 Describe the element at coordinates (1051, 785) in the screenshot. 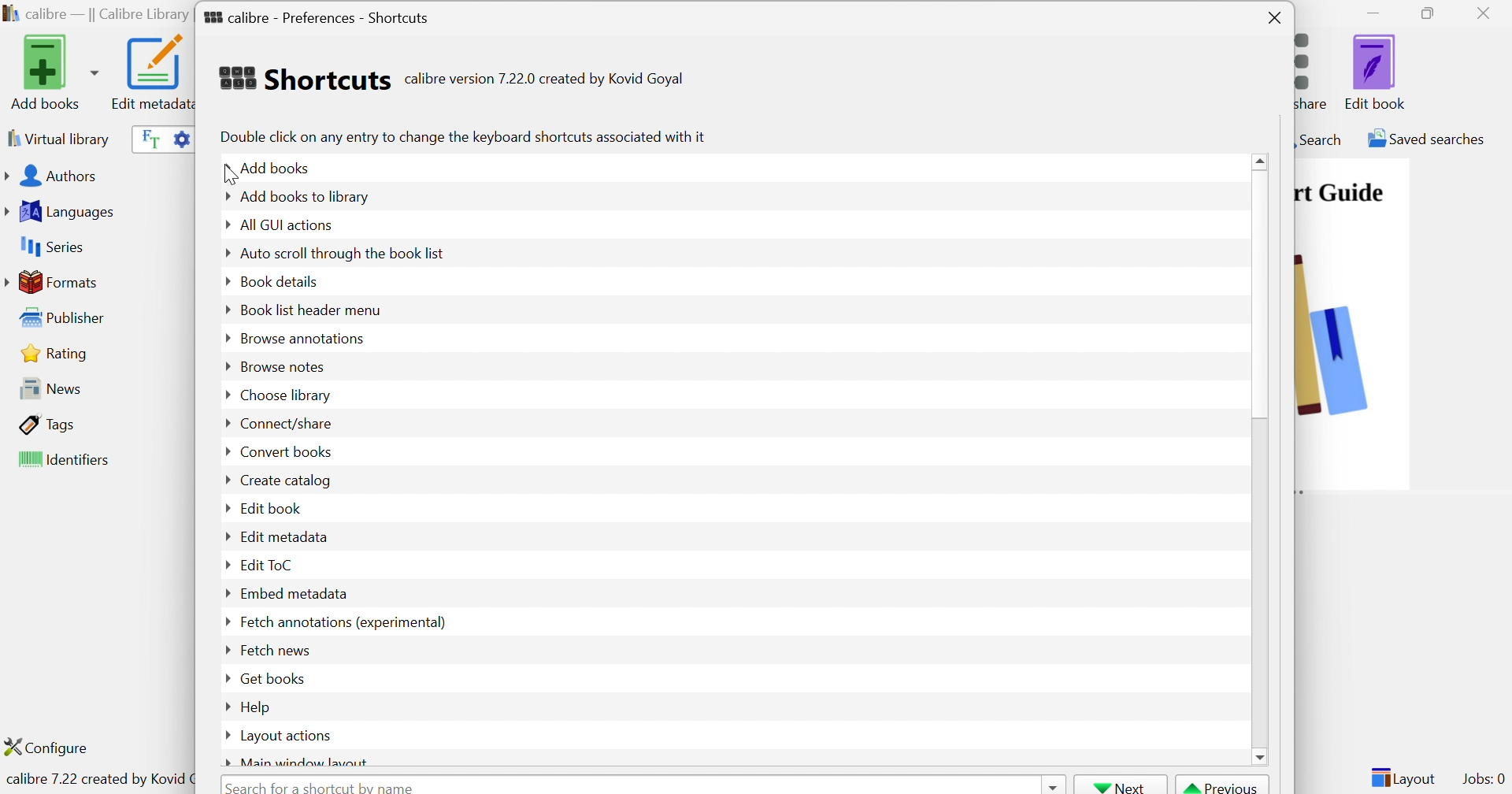

I see `Drop Down` at that location.